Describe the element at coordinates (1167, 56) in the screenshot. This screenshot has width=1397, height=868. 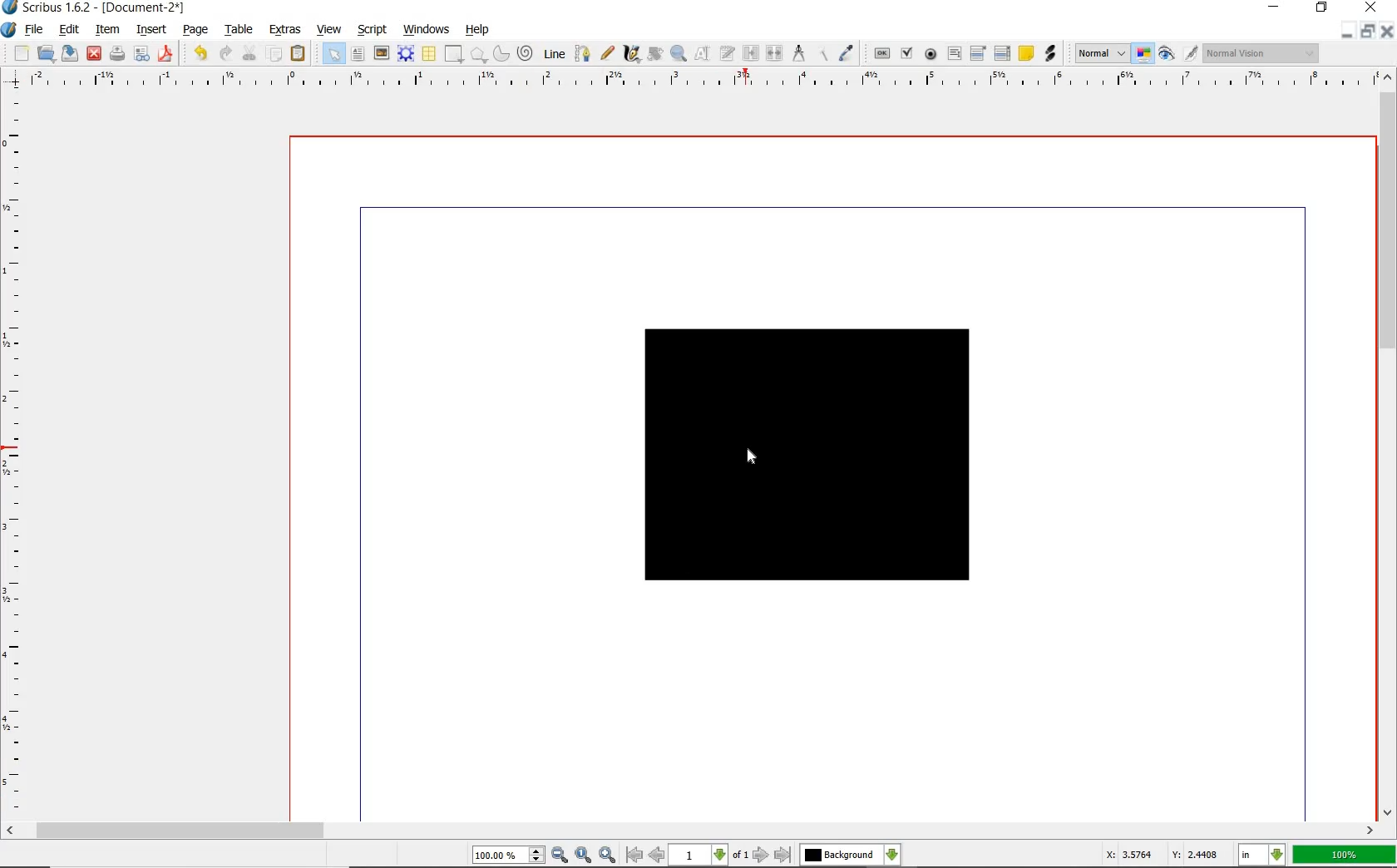
I see `preview mode` at that location.